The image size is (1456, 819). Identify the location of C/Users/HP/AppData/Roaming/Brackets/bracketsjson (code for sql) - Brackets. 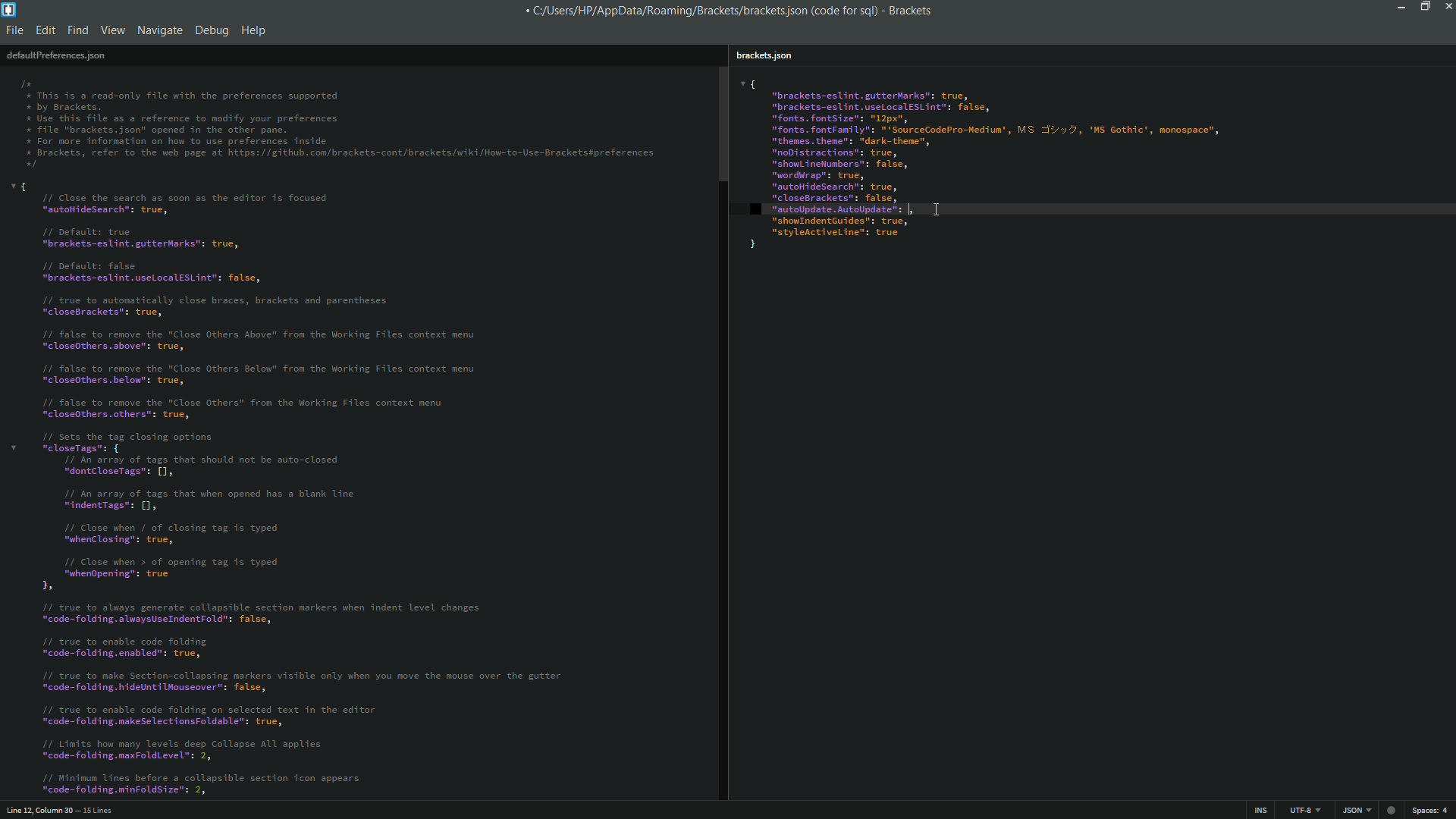
(736, 11).